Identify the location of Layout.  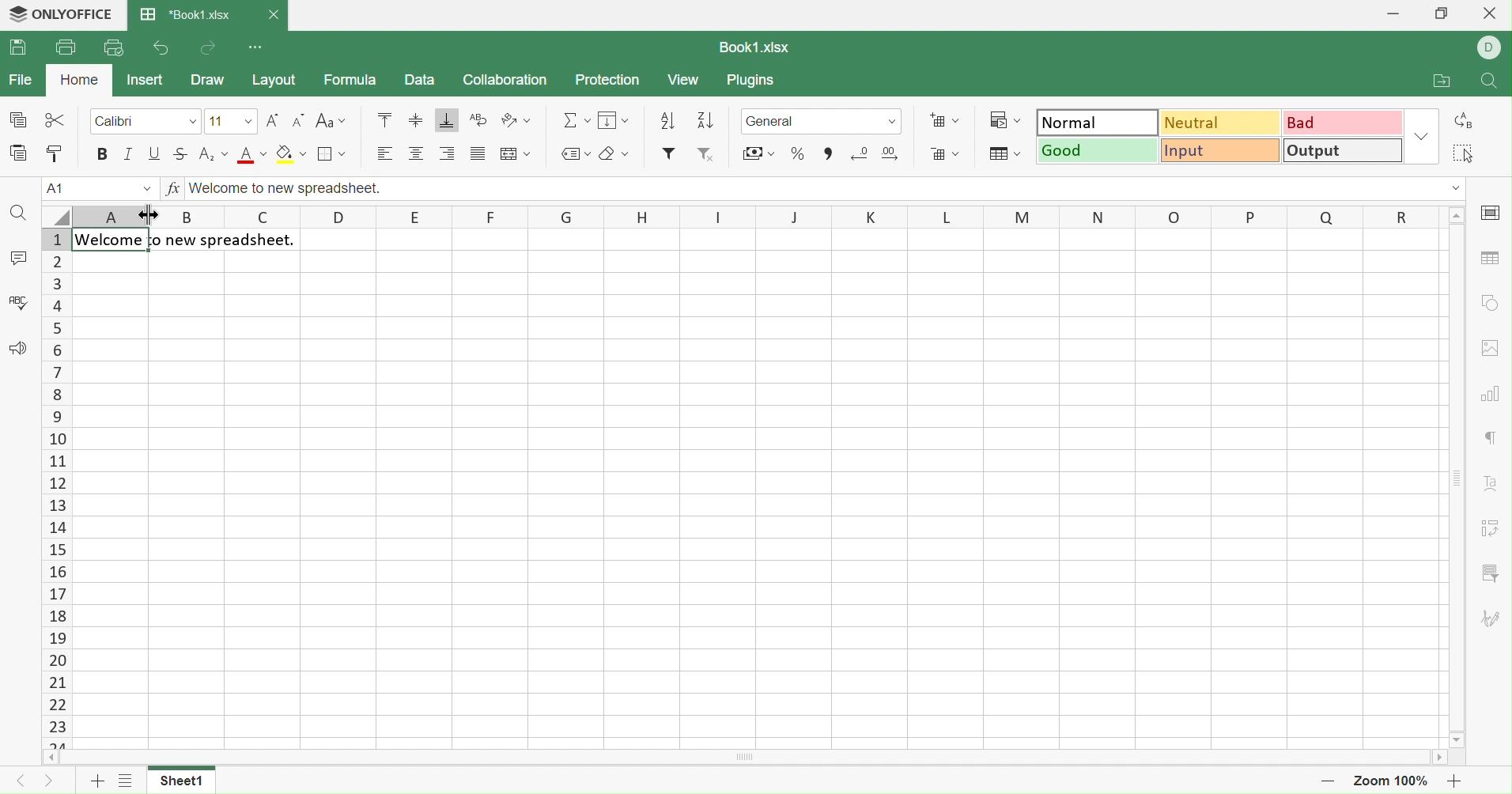
(277, 81).